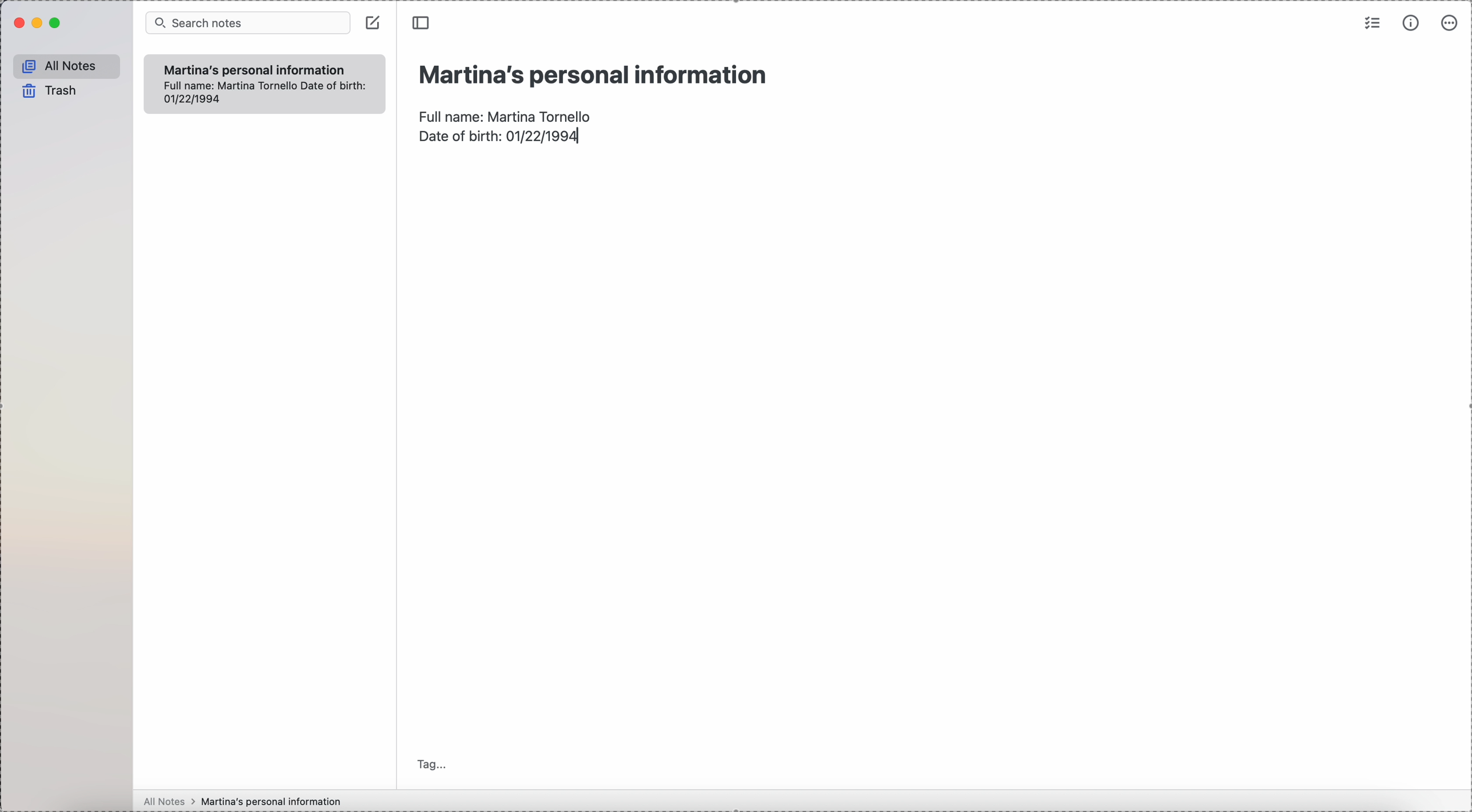 The height and width of the screenshot is (812, 1472). Describe the element at coordinates (249, 23) in the screenshot. I see `search bar` at that location.